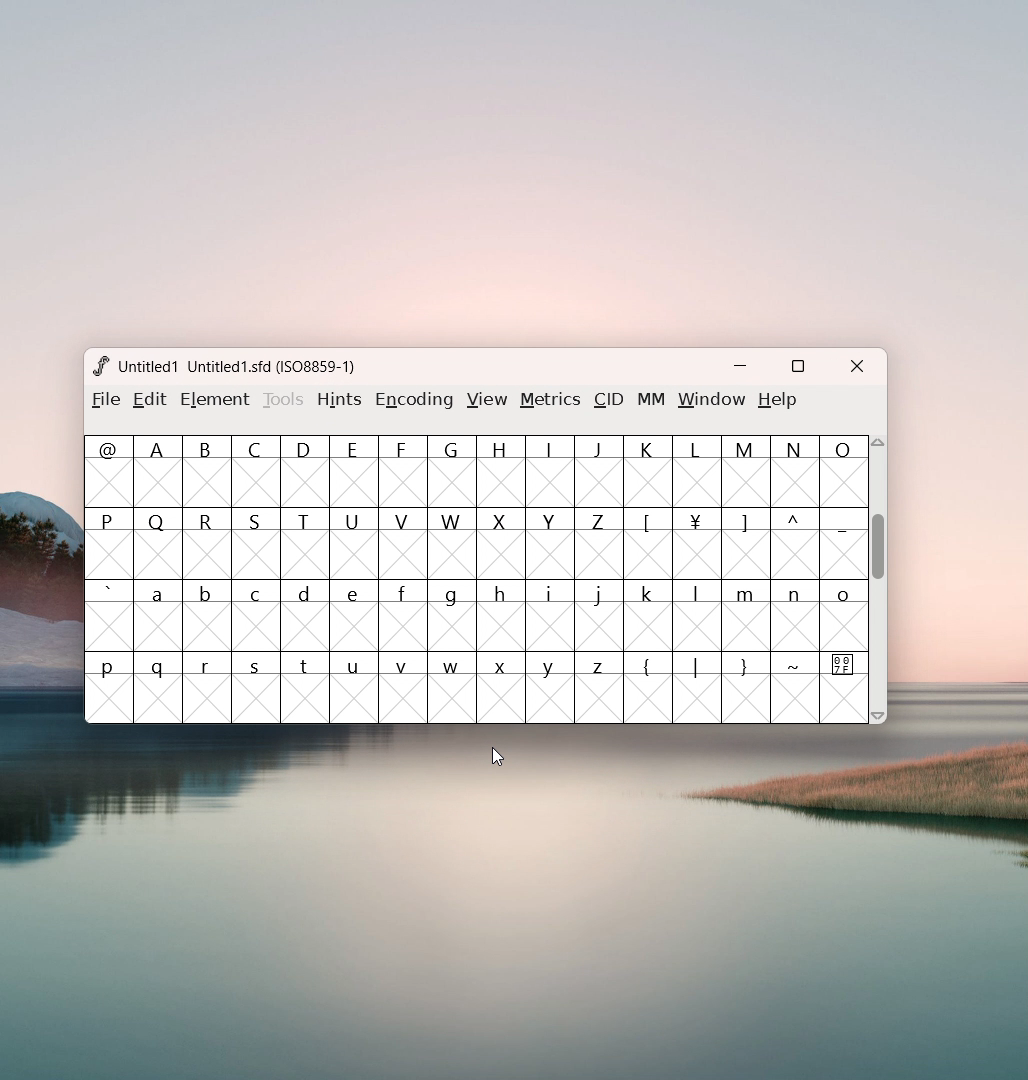 The width and height of the screenshot is (1028, 1080). I want to click on h, so click(502, 616).